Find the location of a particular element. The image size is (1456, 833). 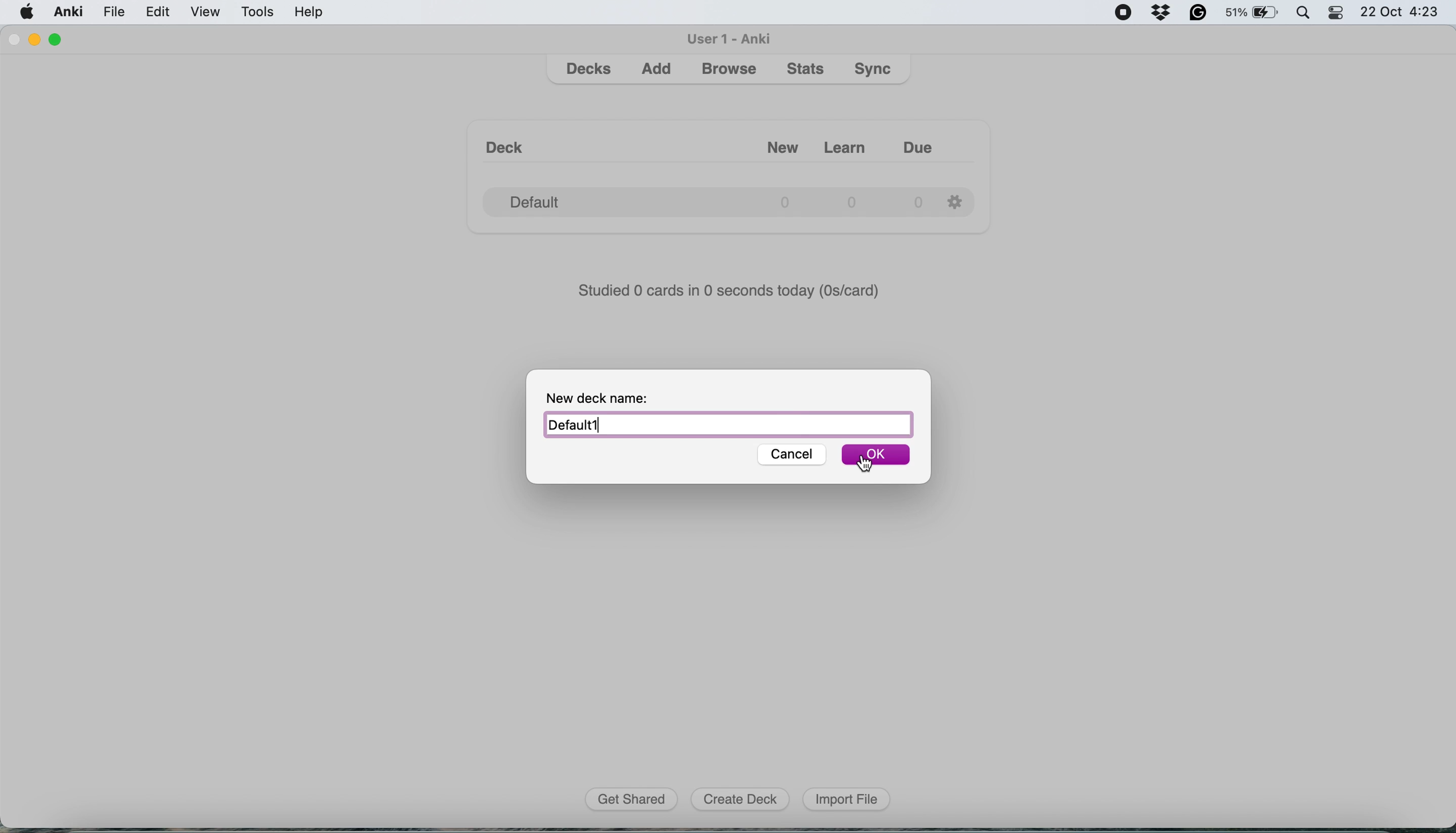

New deck name: is located at coordinates (609, 396).